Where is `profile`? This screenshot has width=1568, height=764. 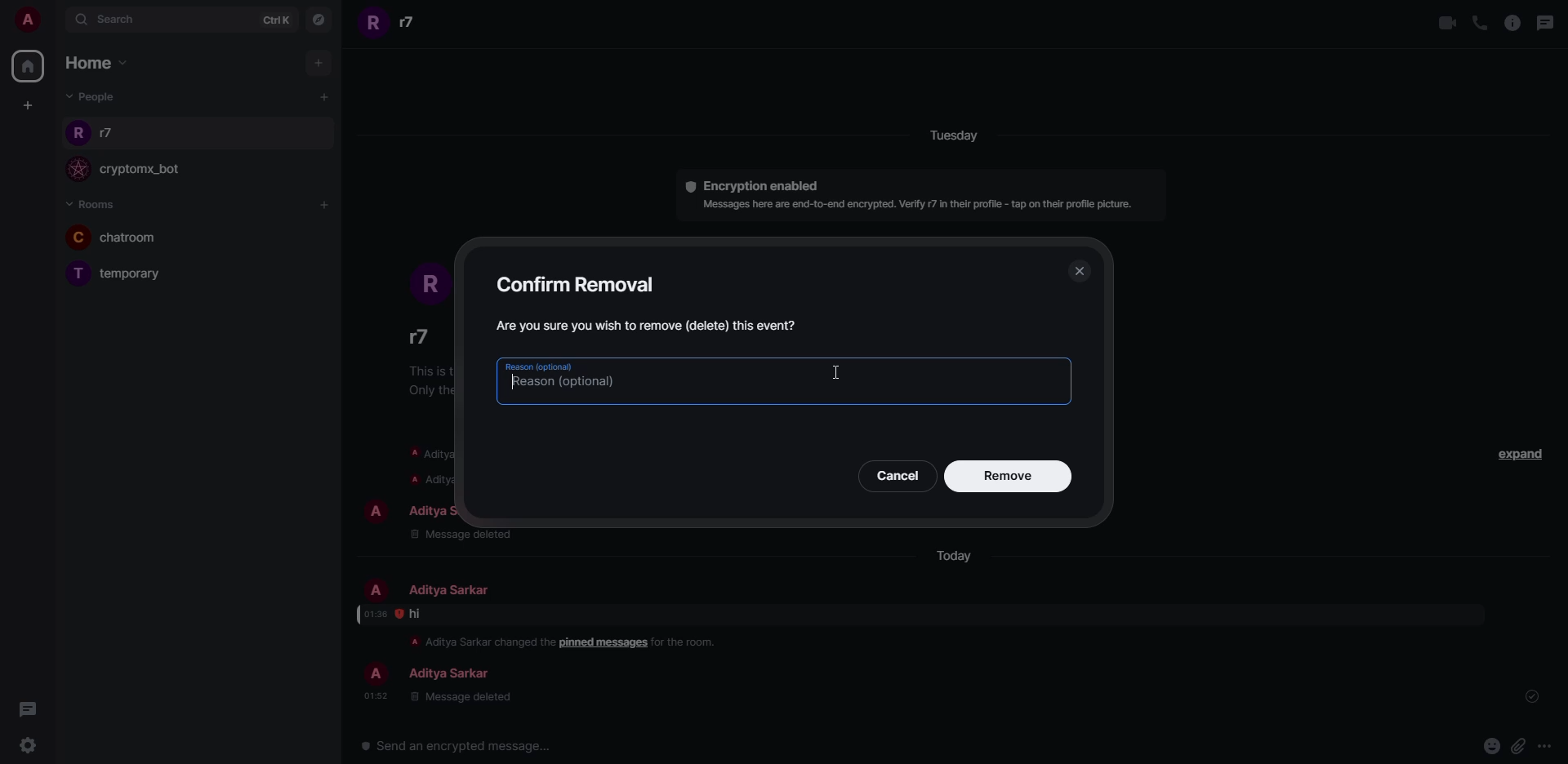 profile is located at coordinates (76, 170).